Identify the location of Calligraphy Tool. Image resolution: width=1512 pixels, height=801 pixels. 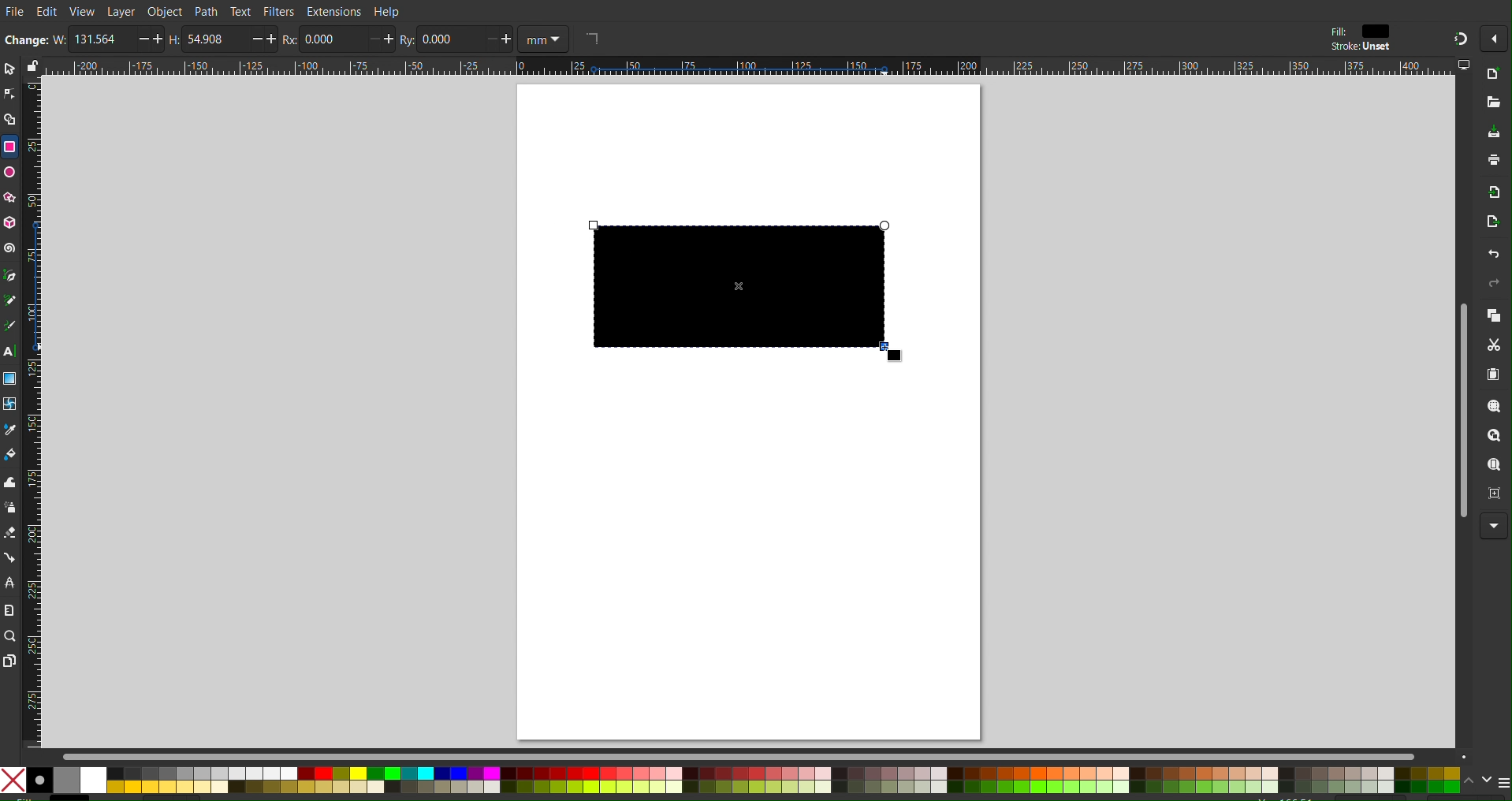
(9, 326).